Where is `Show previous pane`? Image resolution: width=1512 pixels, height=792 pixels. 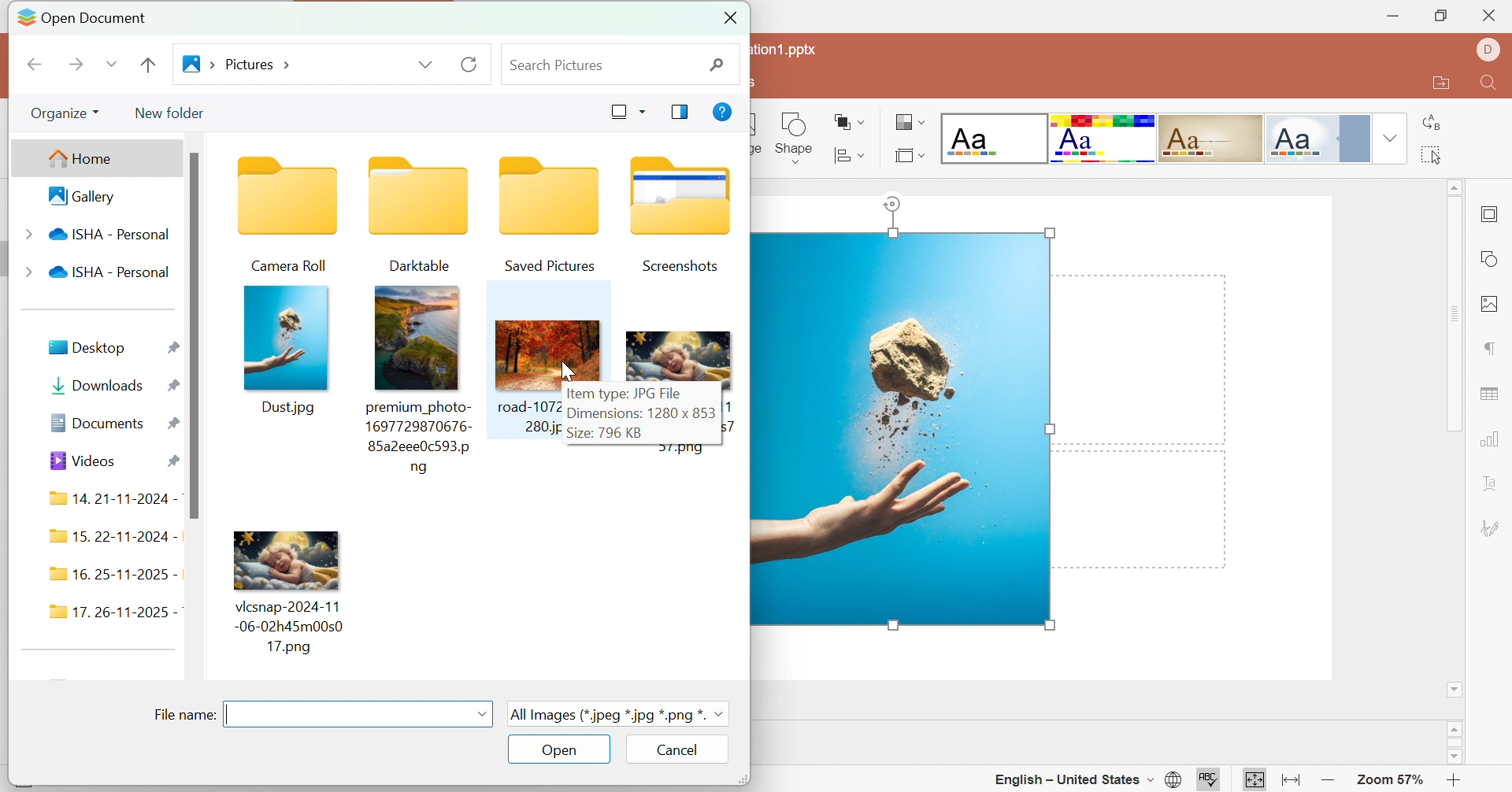
Show previous pane is located at coordinates (680, 110).